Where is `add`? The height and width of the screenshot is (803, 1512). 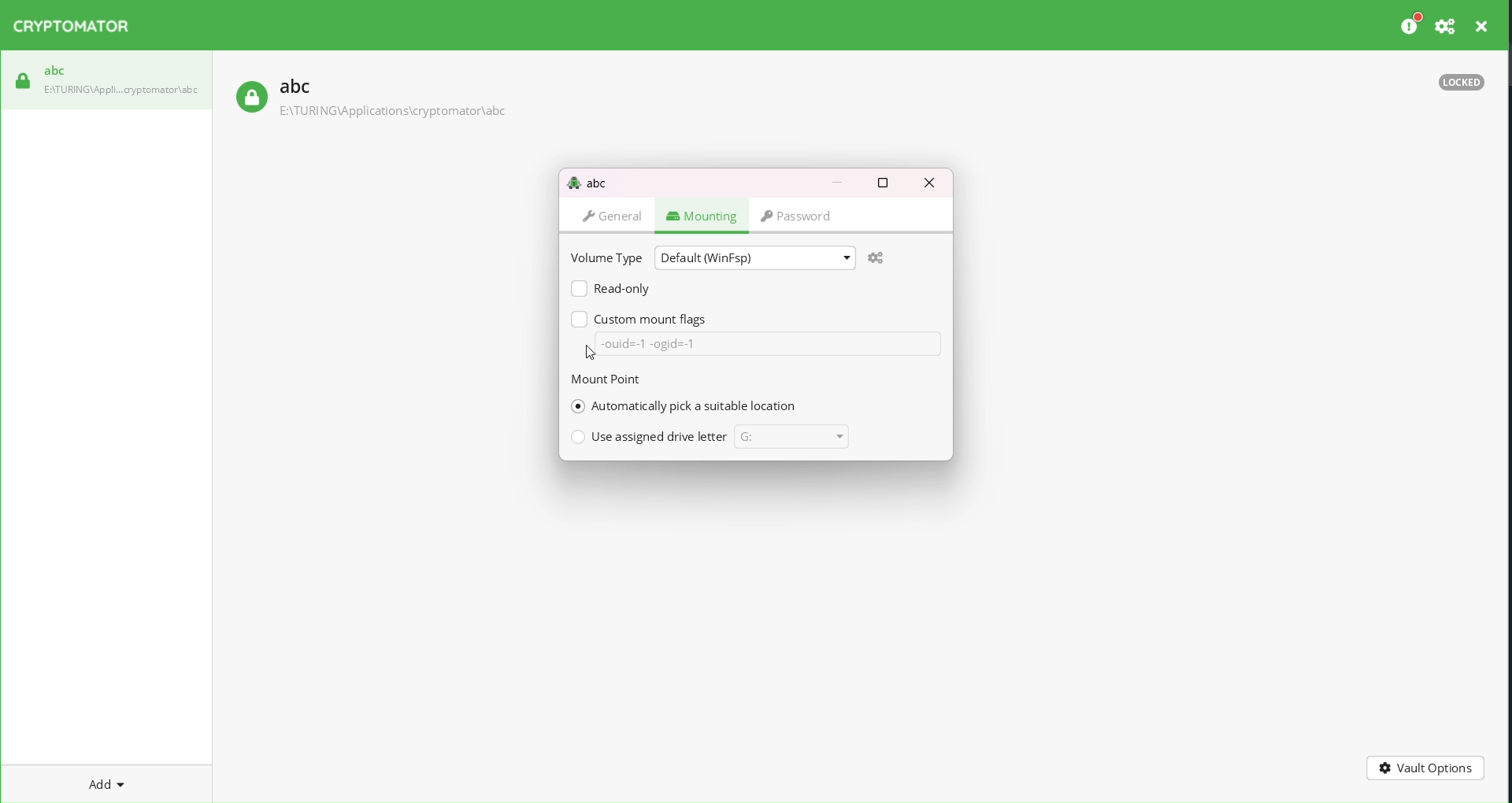 add is located at coordinates (97, 782).